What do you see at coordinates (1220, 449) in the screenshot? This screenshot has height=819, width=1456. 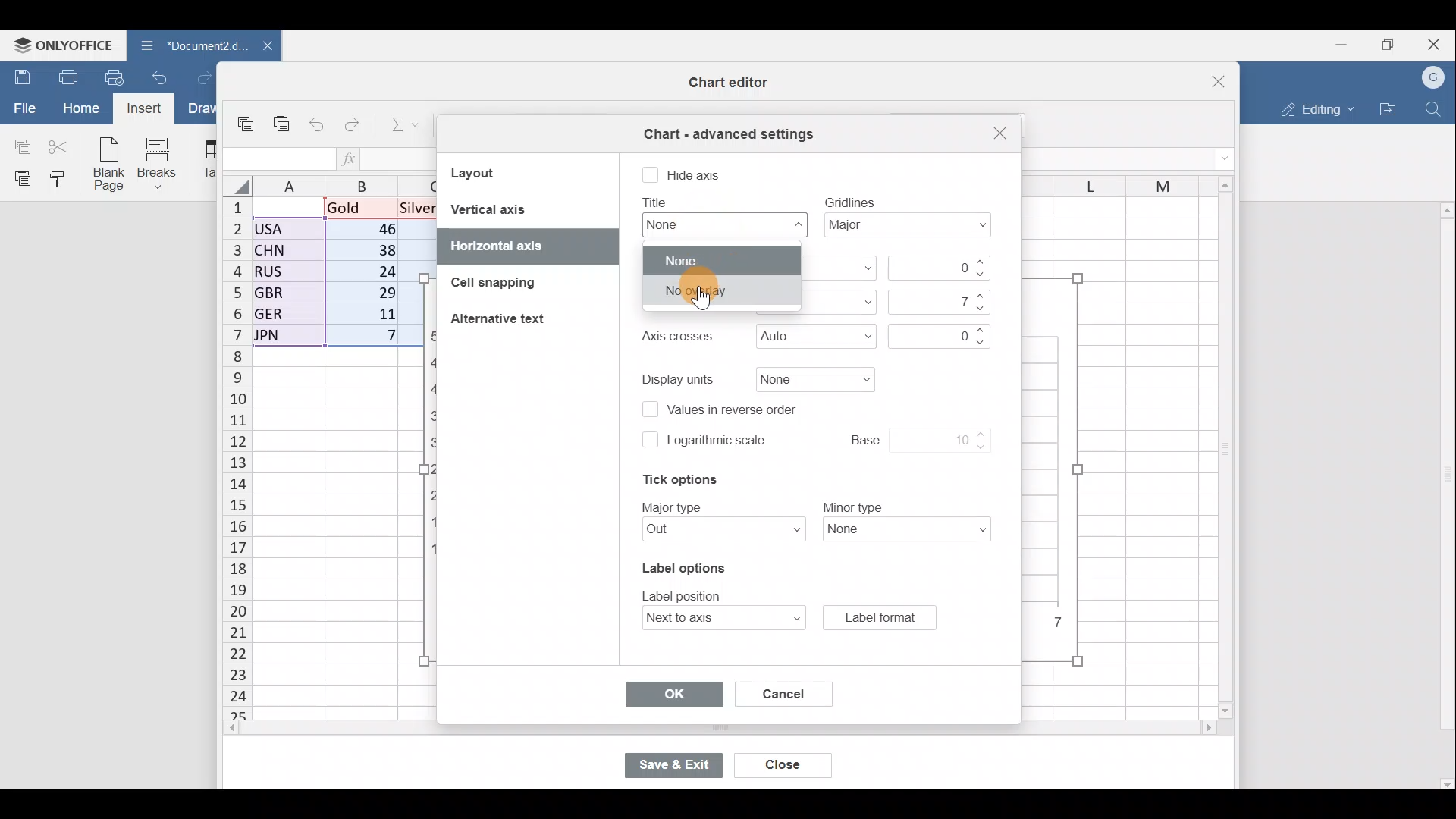 I see `Scroll bar` at bounding box center [1220, 449].